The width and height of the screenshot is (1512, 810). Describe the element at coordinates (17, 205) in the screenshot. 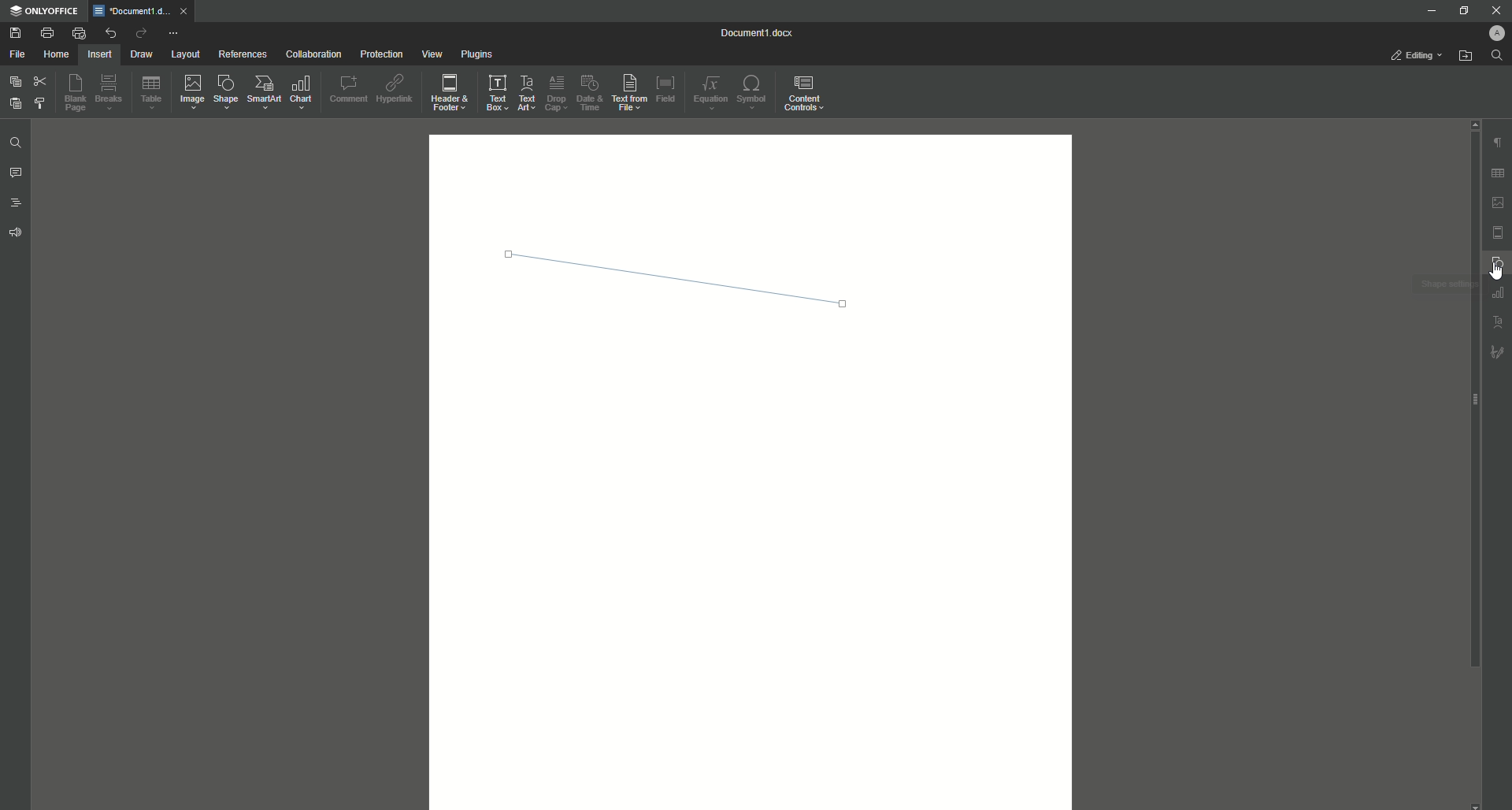

I see `Headings` at that location.